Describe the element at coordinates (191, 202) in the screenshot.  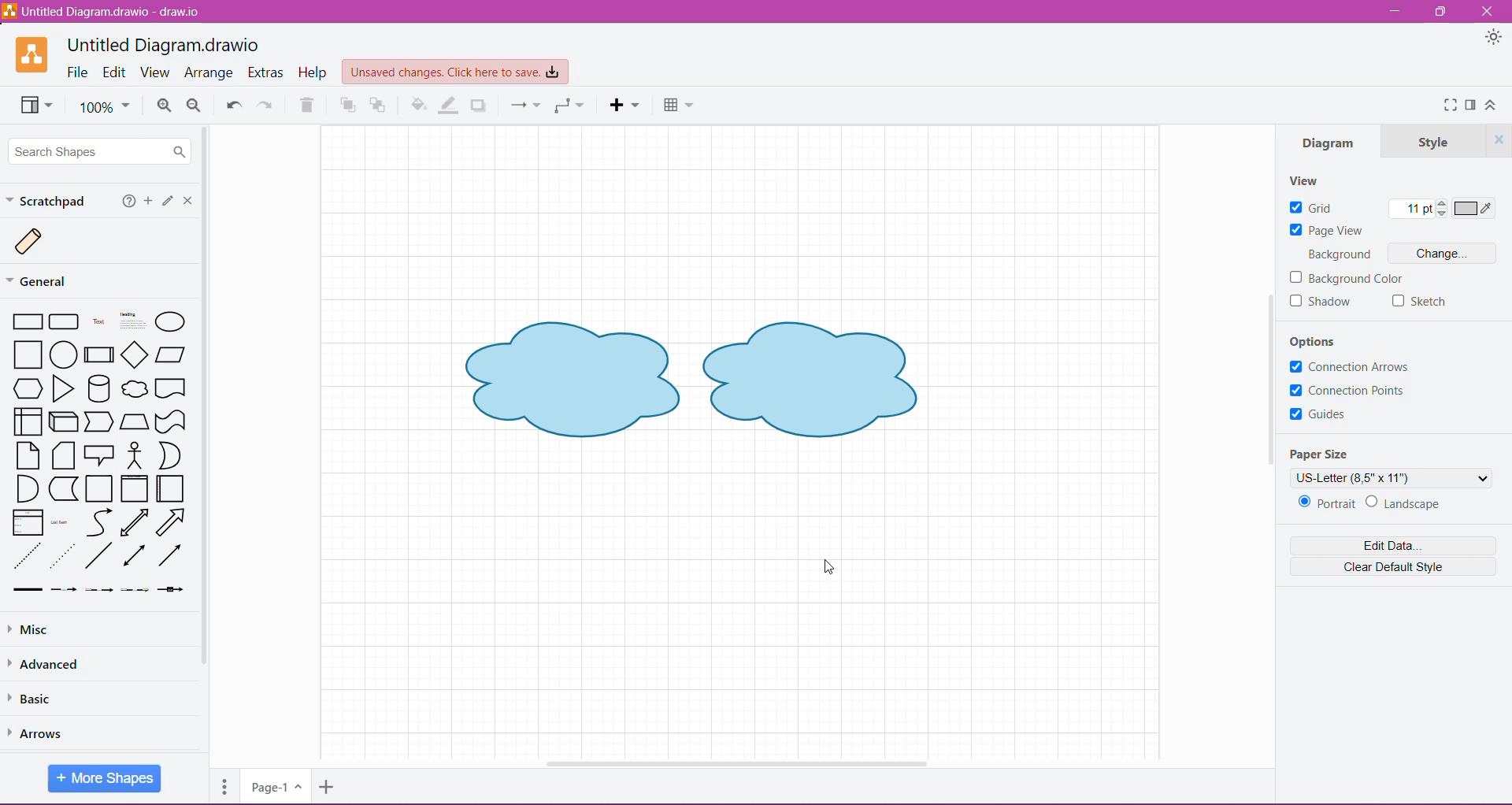
I see `Close` at that location.